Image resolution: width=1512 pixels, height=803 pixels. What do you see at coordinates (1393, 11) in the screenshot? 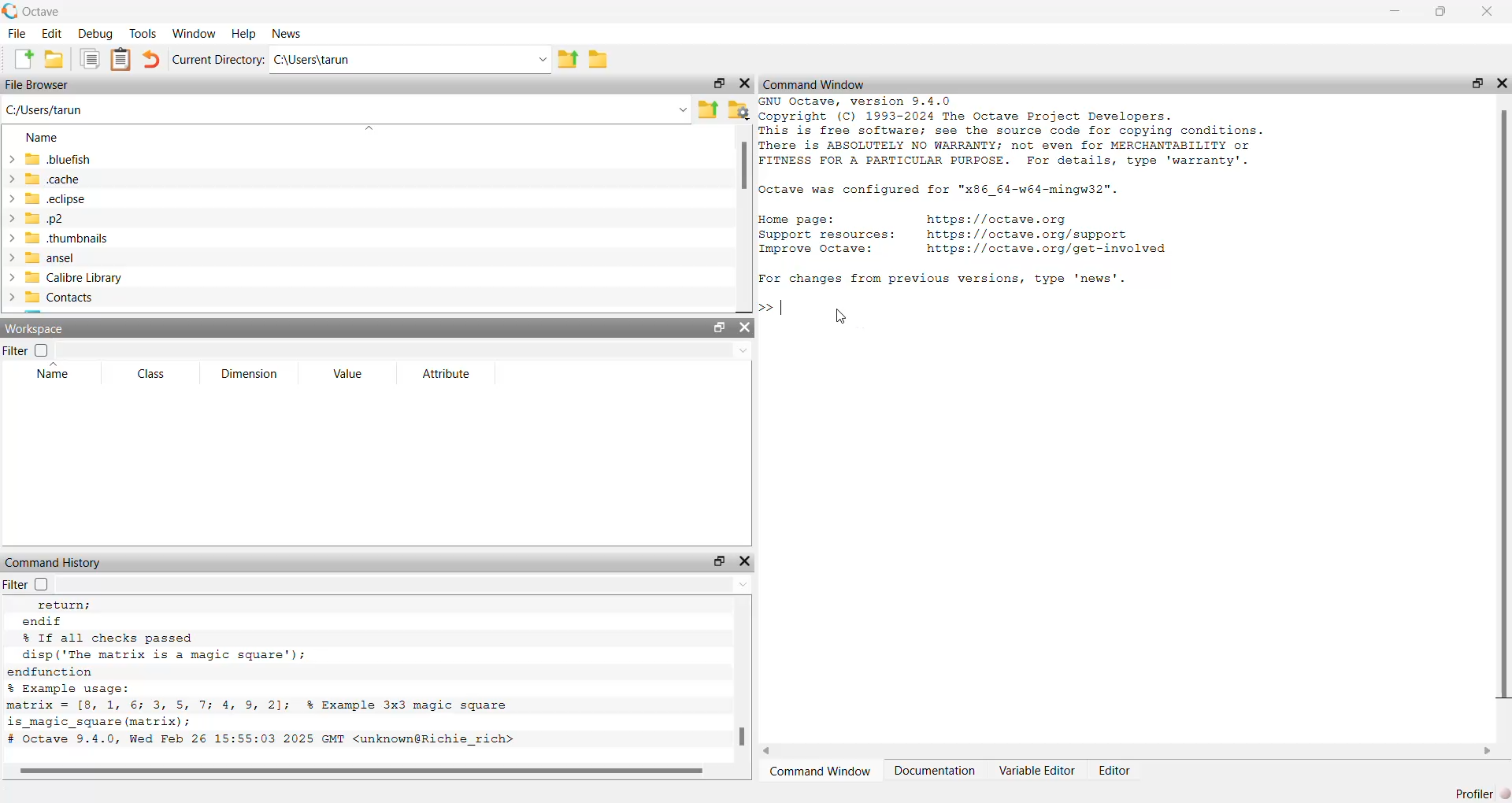
I see `minimize` at bounding box center [1393, 11].